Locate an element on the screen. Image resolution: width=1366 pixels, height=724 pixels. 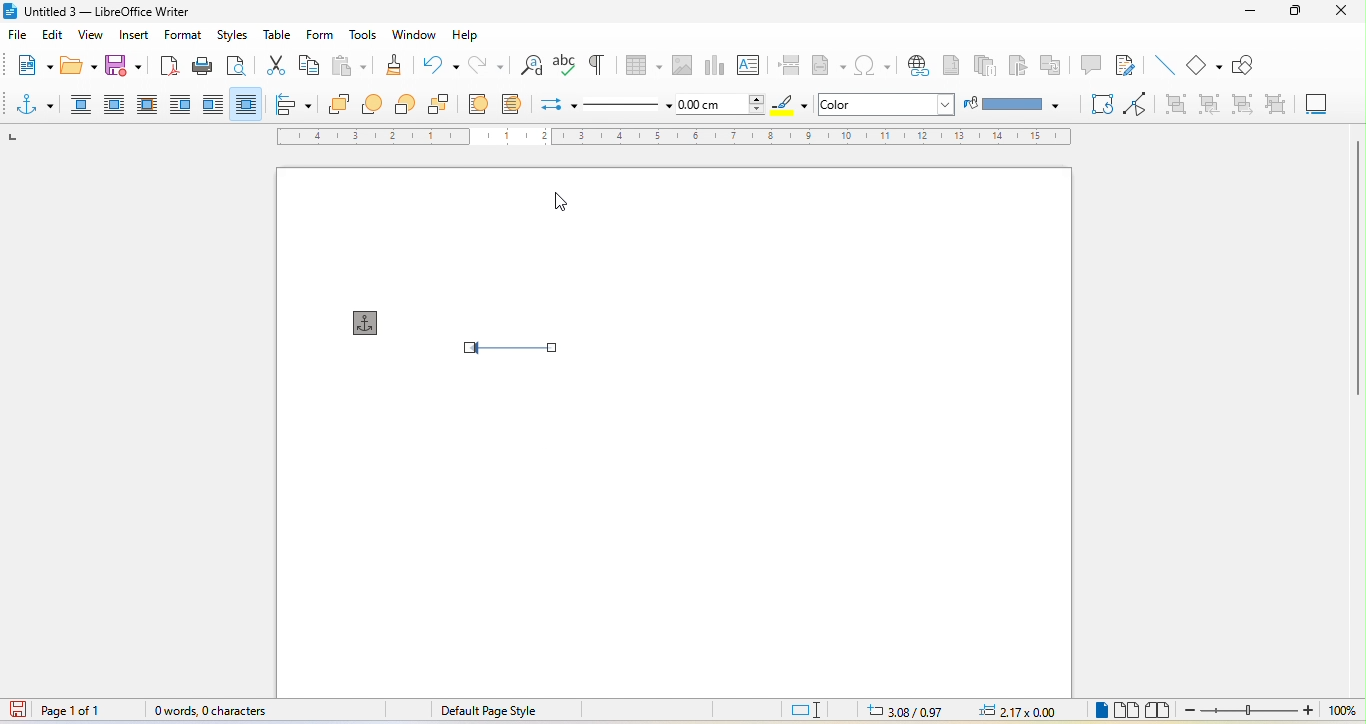
insert caption is located at coordinates (1315, 102).